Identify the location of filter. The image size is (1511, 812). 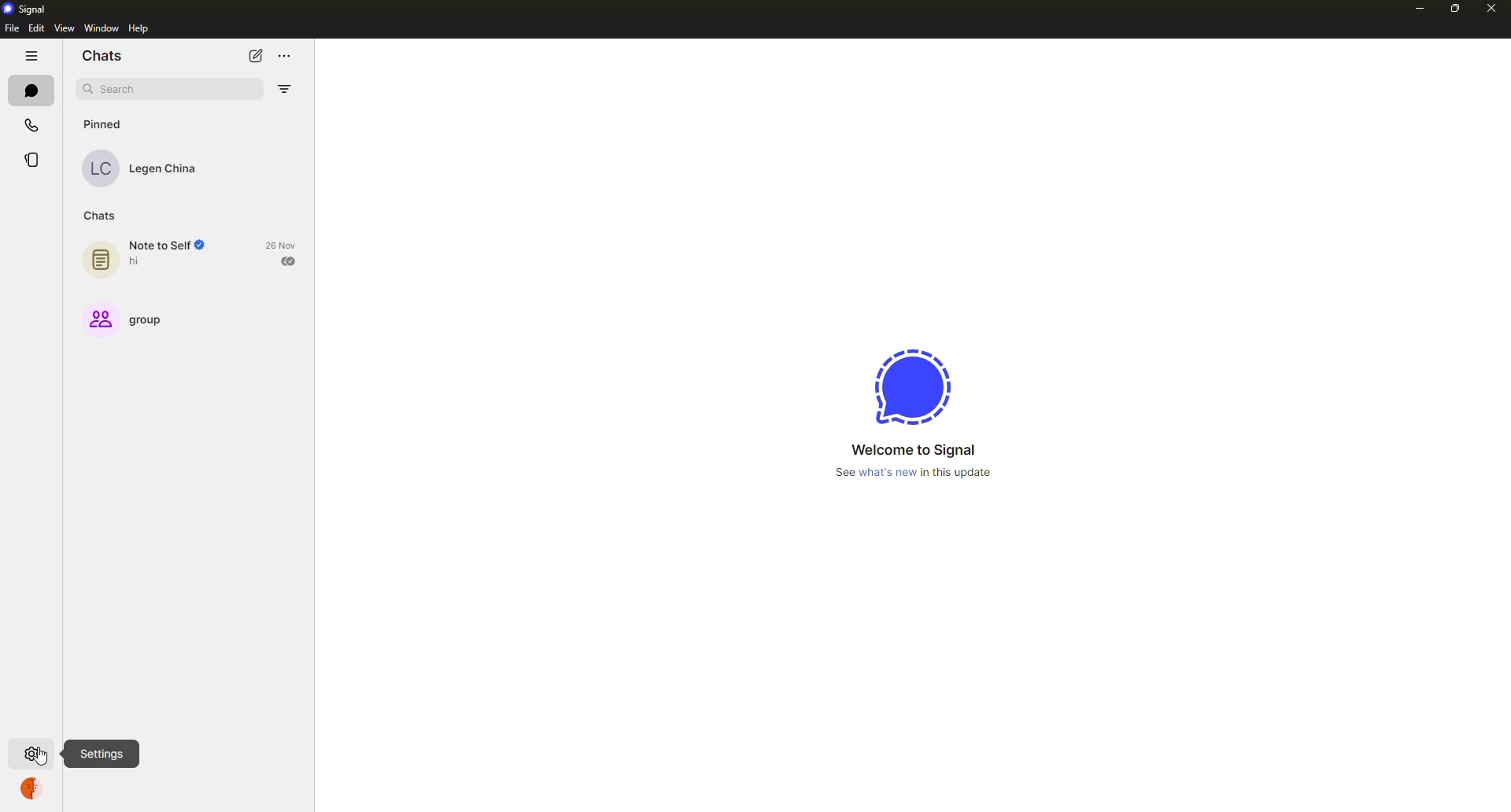
(286, 88).